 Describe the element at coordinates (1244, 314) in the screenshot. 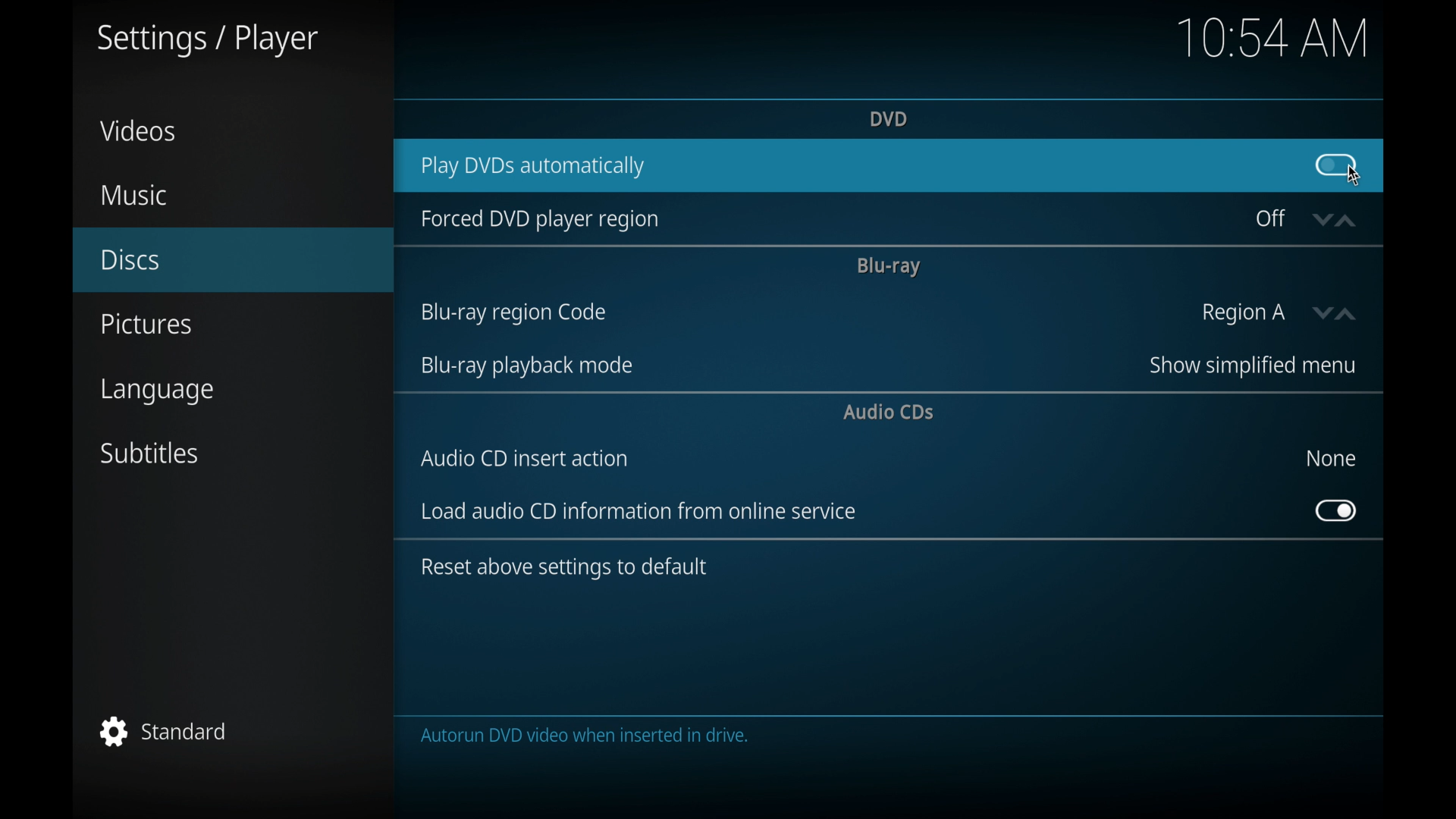

I see `region a` at that location.